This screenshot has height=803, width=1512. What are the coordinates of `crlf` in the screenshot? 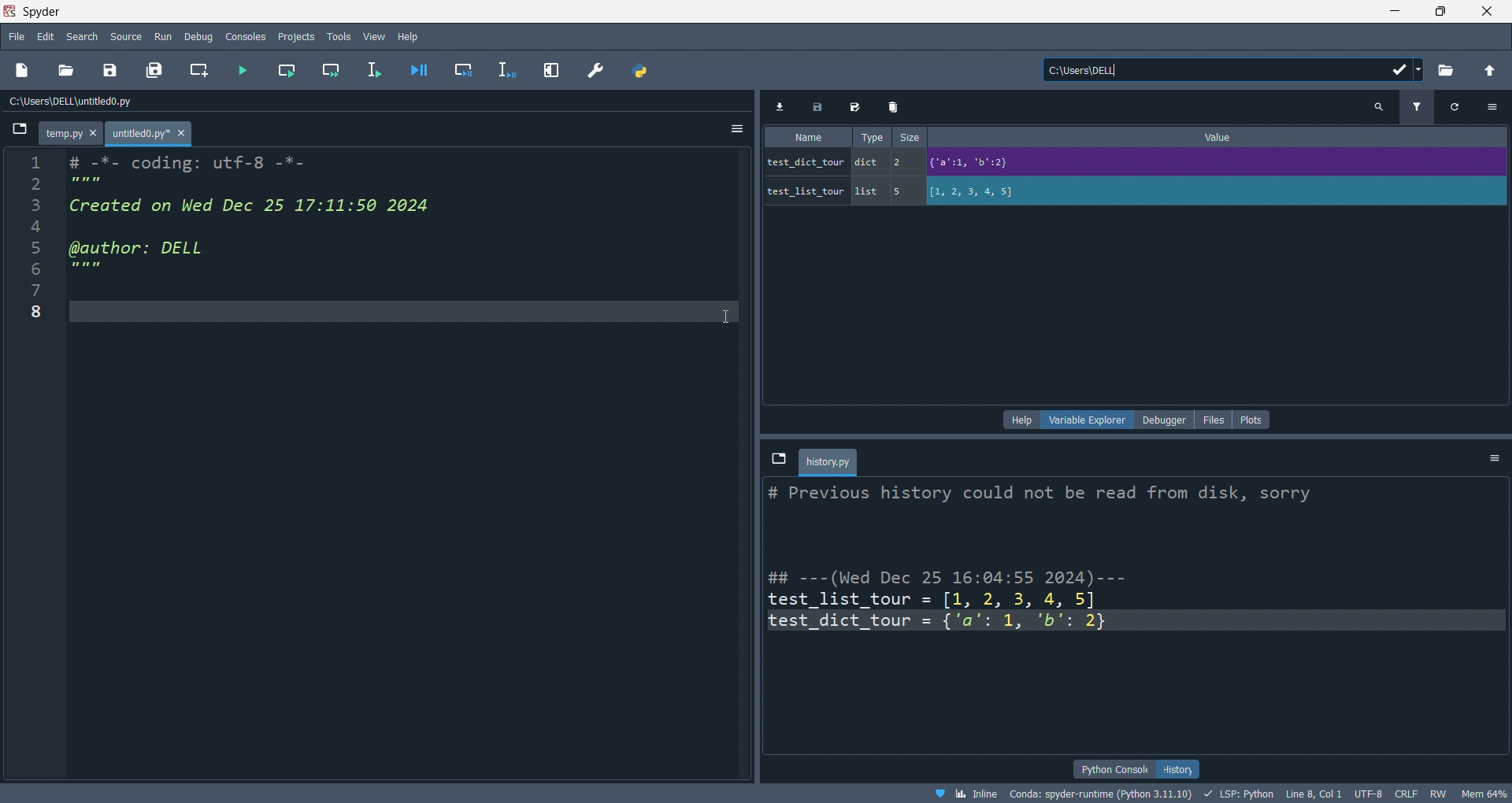 It's located at (1404, 794).